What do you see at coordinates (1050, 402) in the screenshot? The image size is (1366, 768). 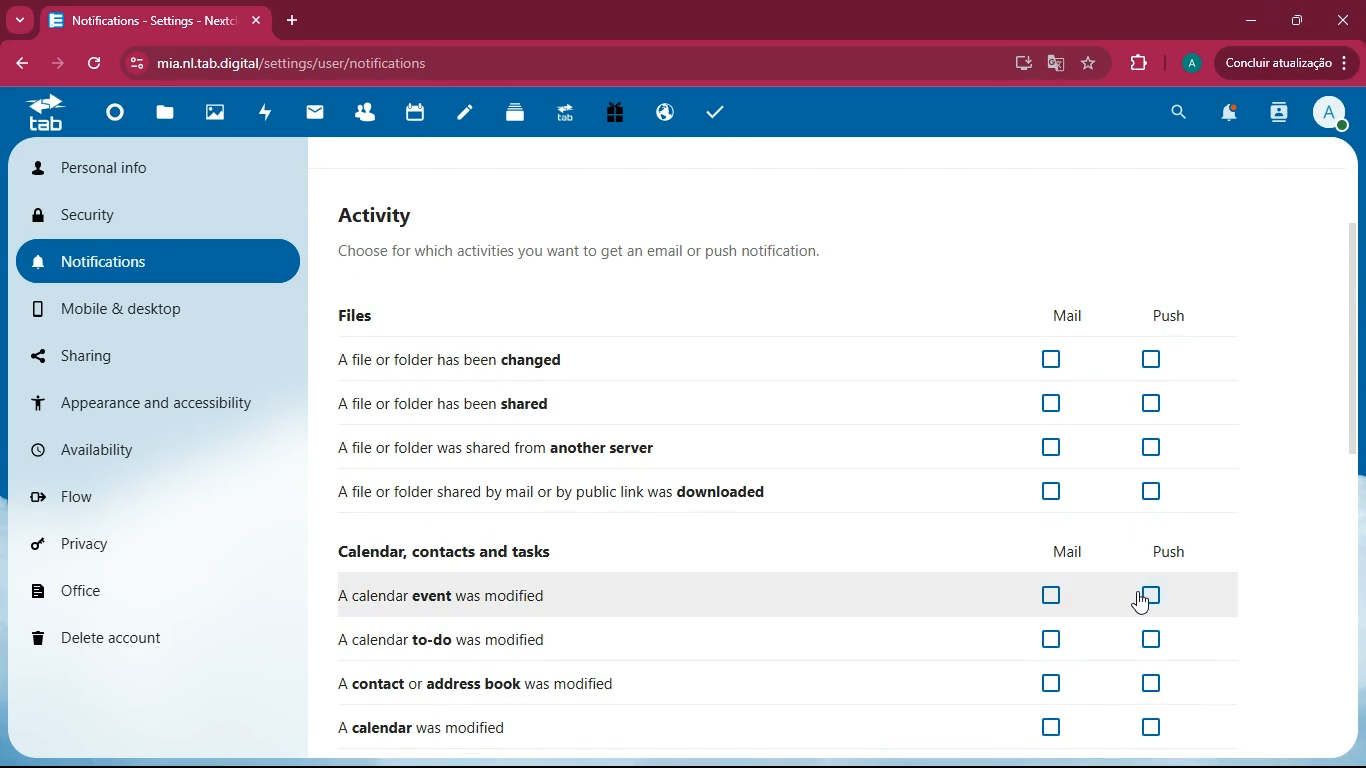 I see `checkbox` at bounding box center [1050, 402].